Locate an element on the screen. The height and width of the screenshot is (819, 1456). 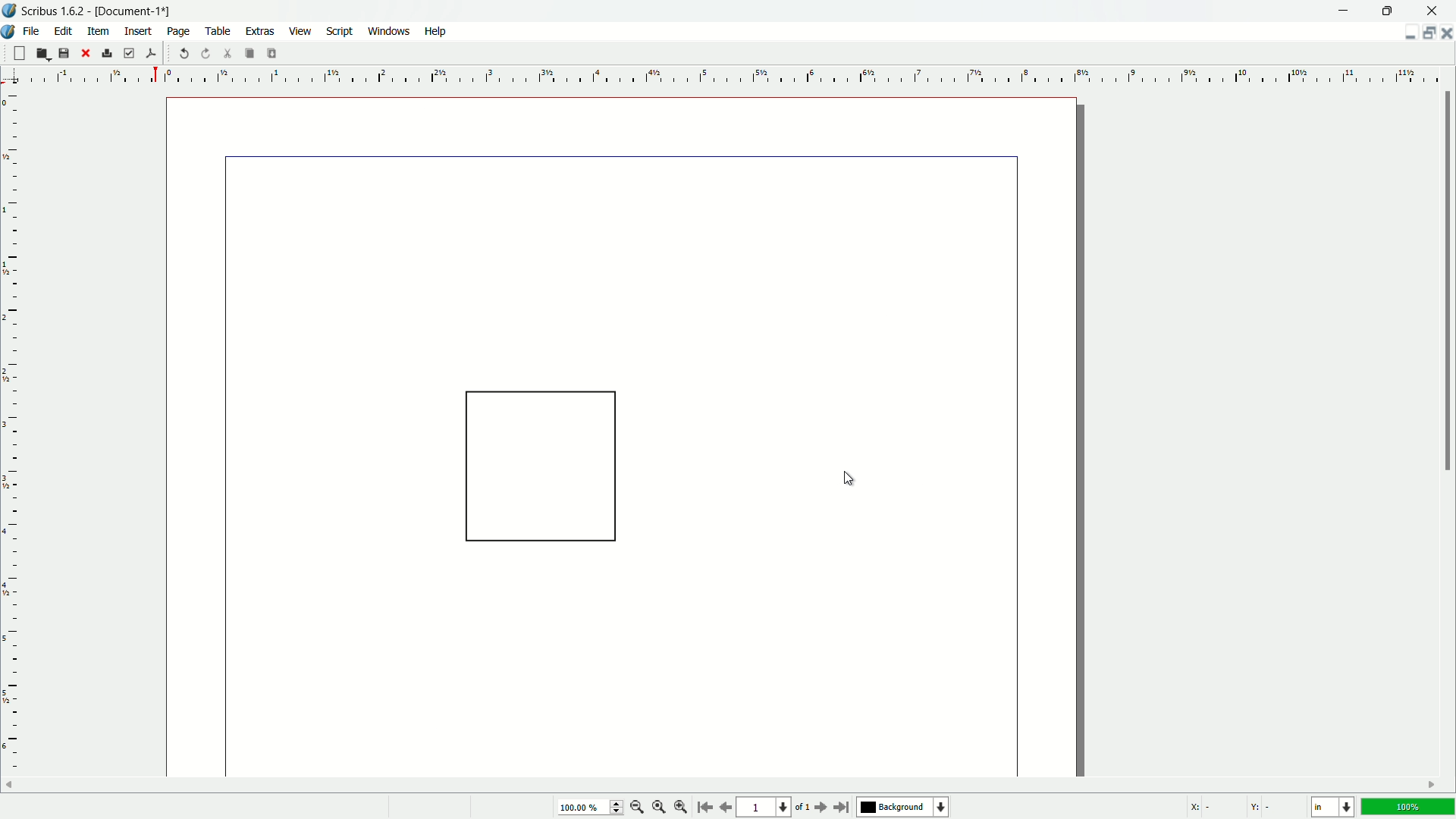
extras menu is located at coordinates (259, 32).